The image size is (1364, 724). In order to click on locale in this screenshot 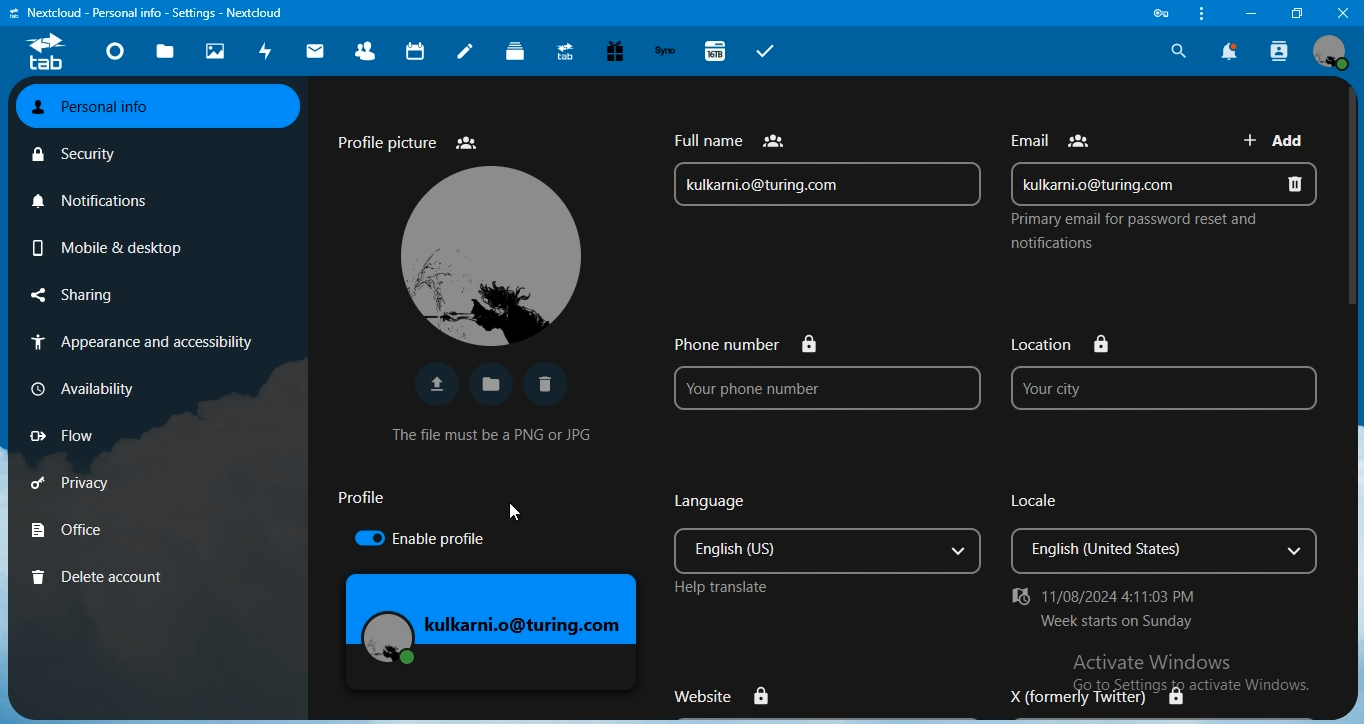, I will do `click(1169, 534)`.